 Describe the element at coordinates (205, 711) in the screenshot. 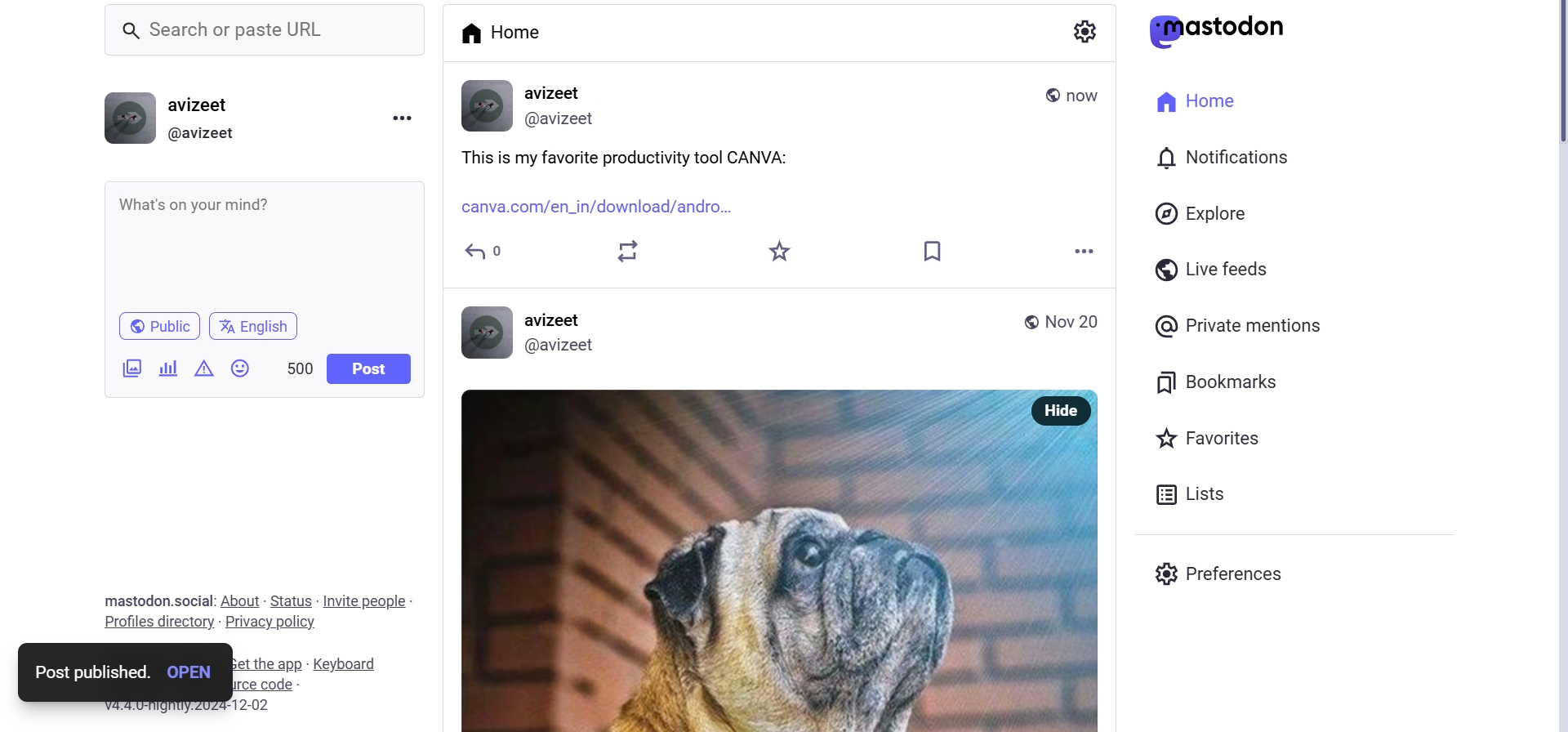

I see `v4.4.0-nightly.2024-12-02` at that location.